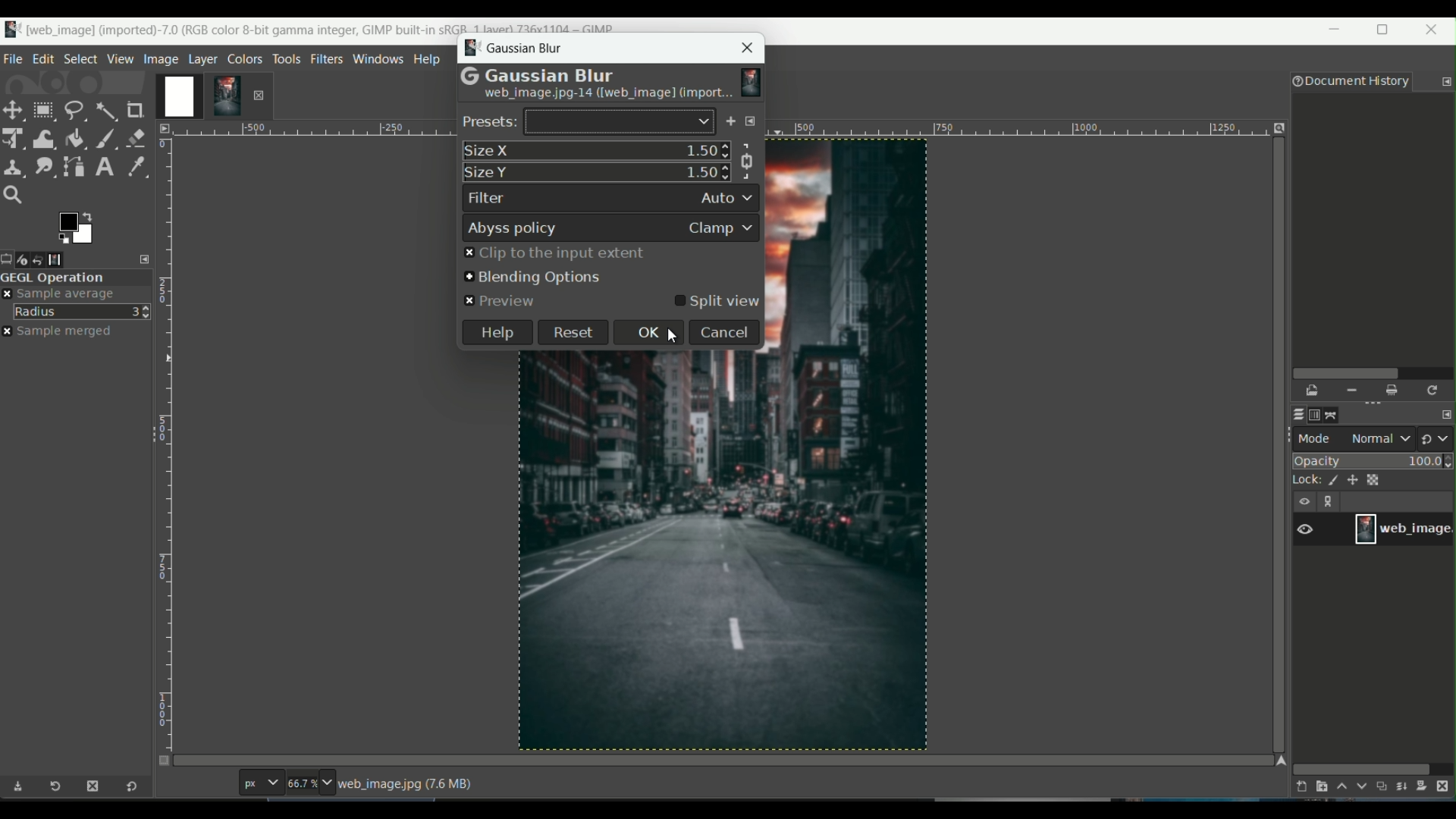 This screenshot has height=819, width=1456. Describe the element at coordinates (1313, 528) in the screenshot. I see `layer attribute` at that location.